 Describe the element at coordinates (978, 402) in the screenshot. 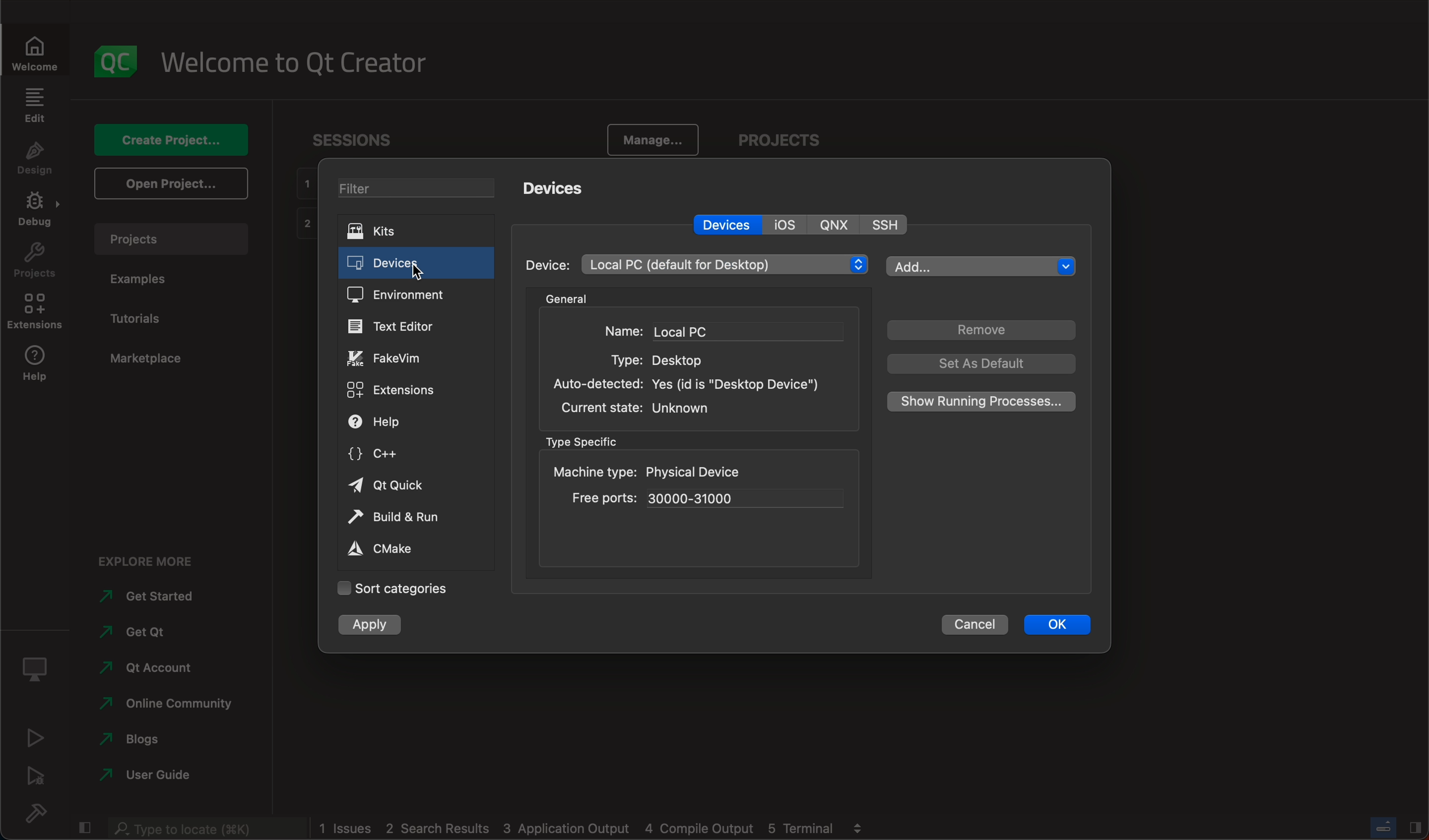

I see `show running processes...` at that location.